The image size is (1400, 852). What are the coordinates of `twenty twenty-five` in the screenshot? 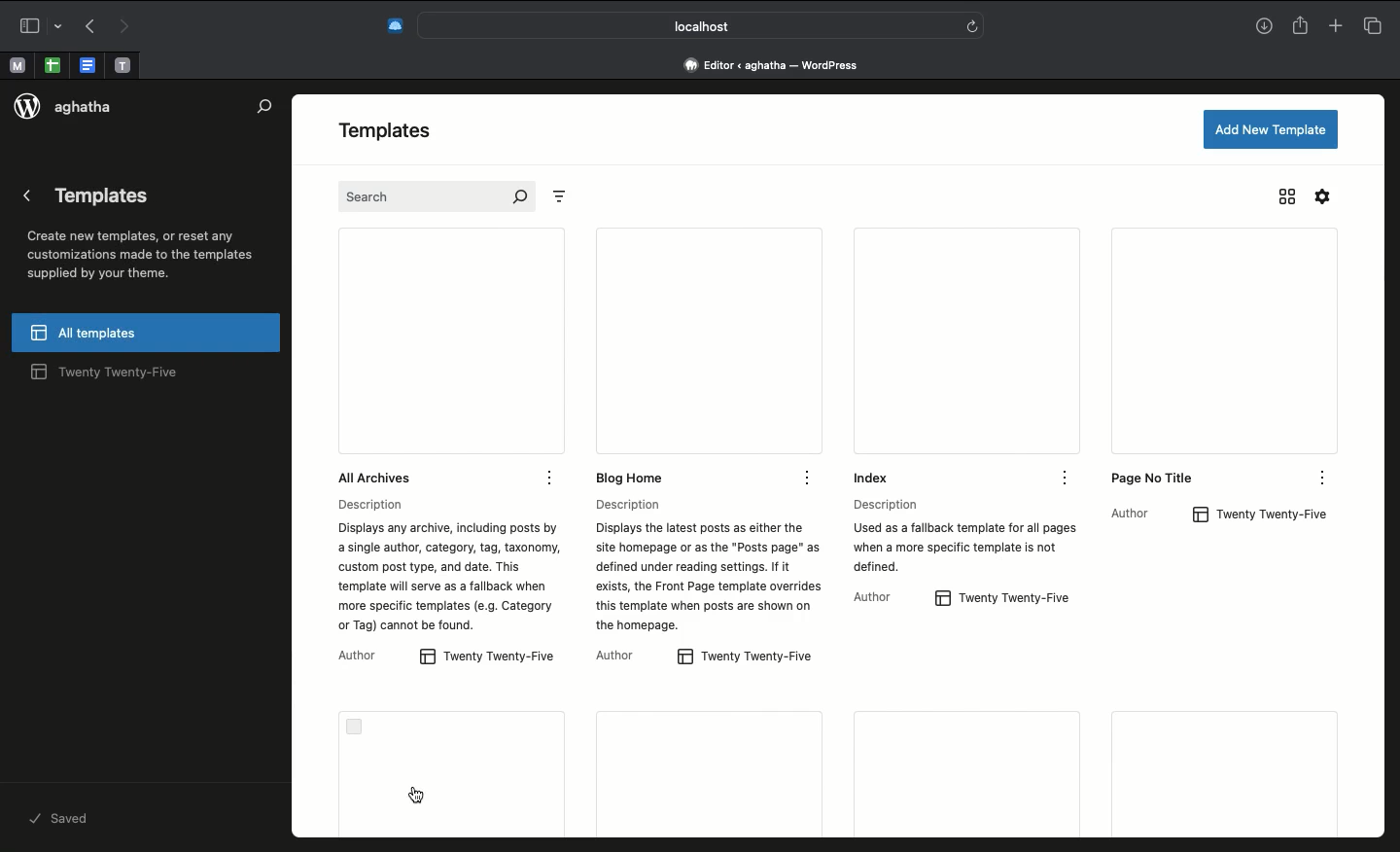 It's located at (1261, 518).